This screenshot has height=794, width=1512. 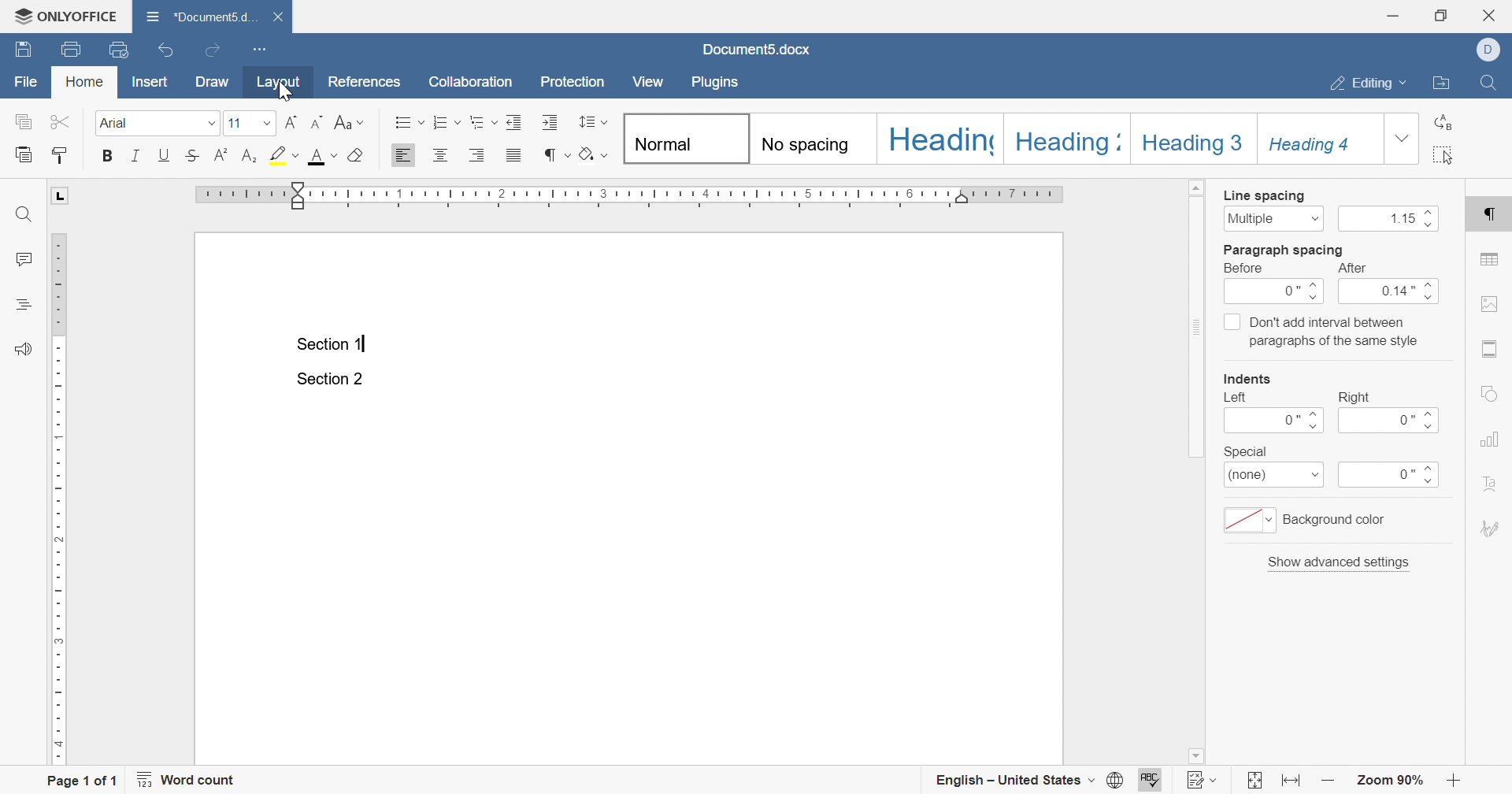 What do you see at coordinates (322, 155) in the screenshot?
I see `font color` at bounding box center [322, 155].